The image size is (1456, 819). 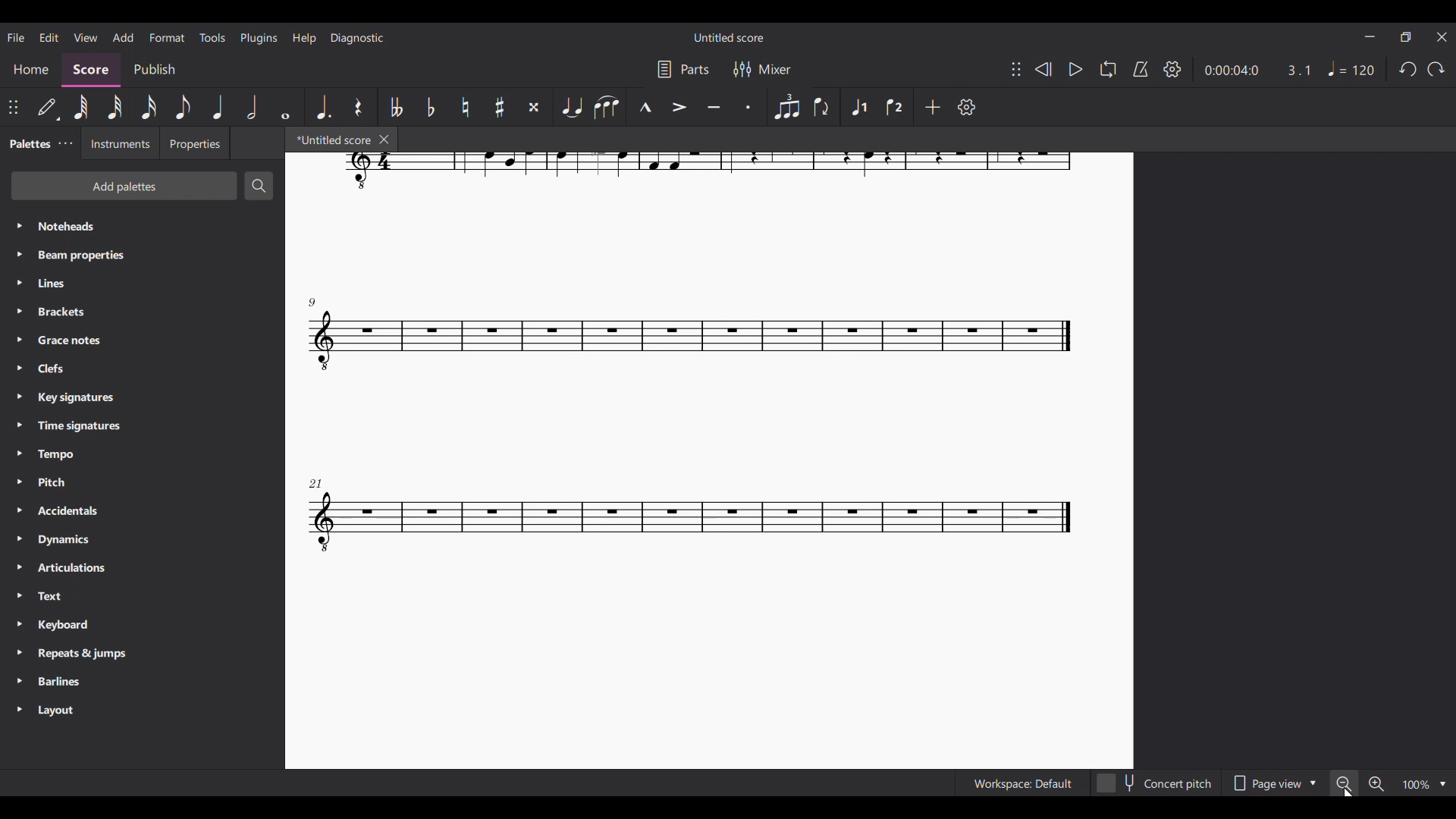 I want to click on Loop playback, so click(x=1109, y=69).